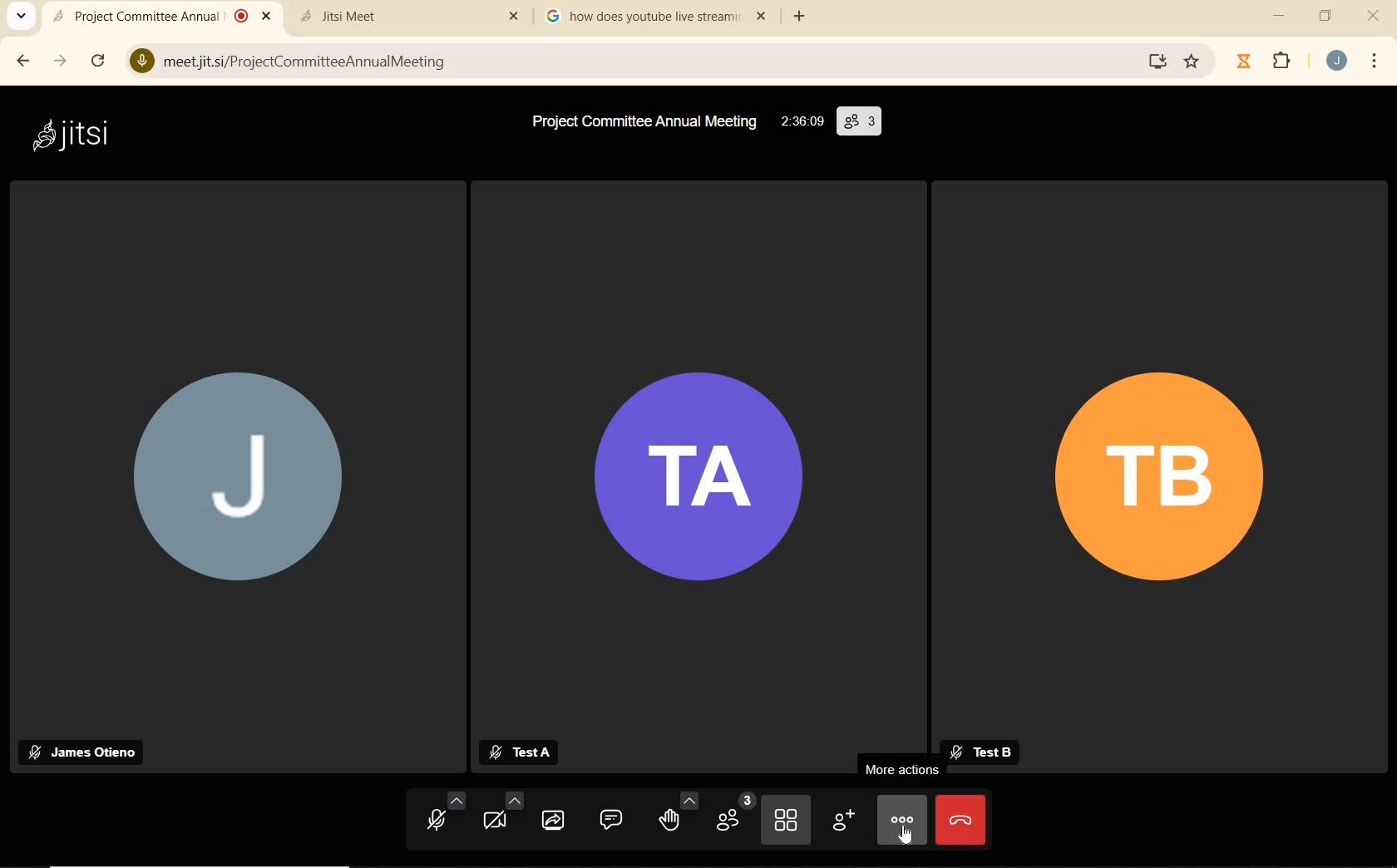 This screenshot has height=868, width=1397. I want to click on TOGGLE TILE VIEW, so click(786, 823).